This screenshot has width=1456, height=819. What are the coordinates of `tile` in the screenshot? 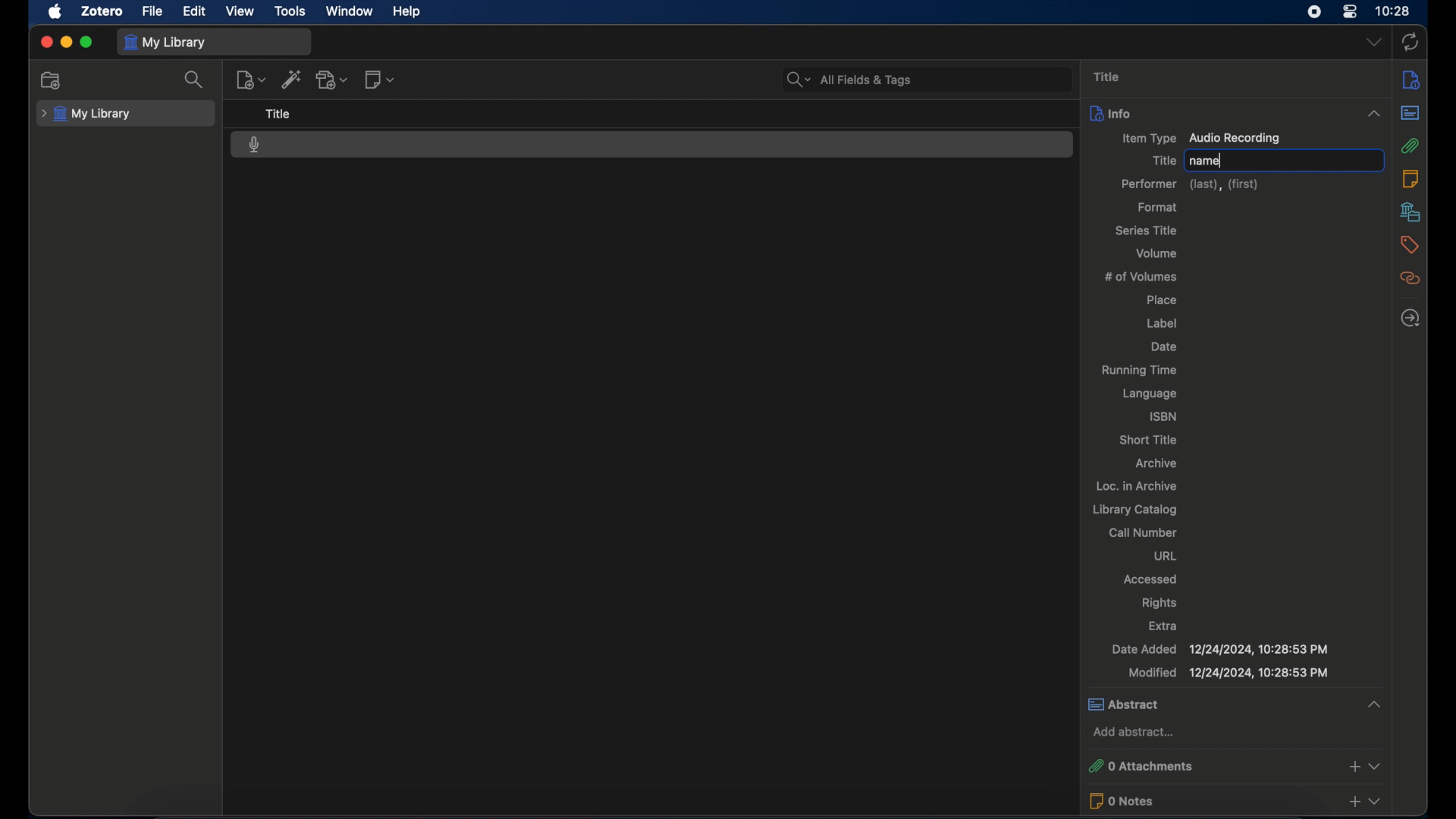 It's located at (278, 114).